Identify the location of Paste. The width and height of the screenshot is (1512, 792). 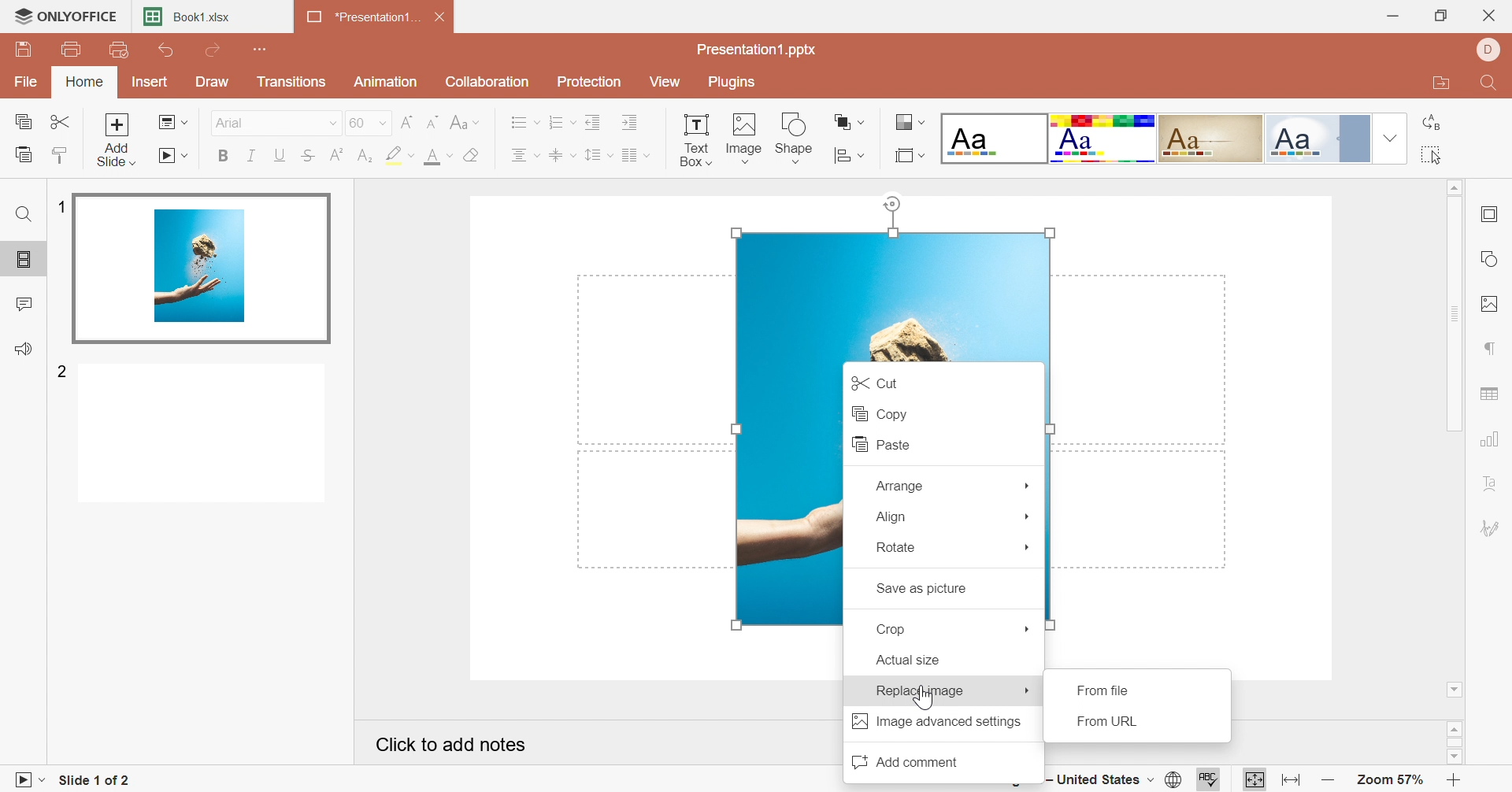
(22, 154).